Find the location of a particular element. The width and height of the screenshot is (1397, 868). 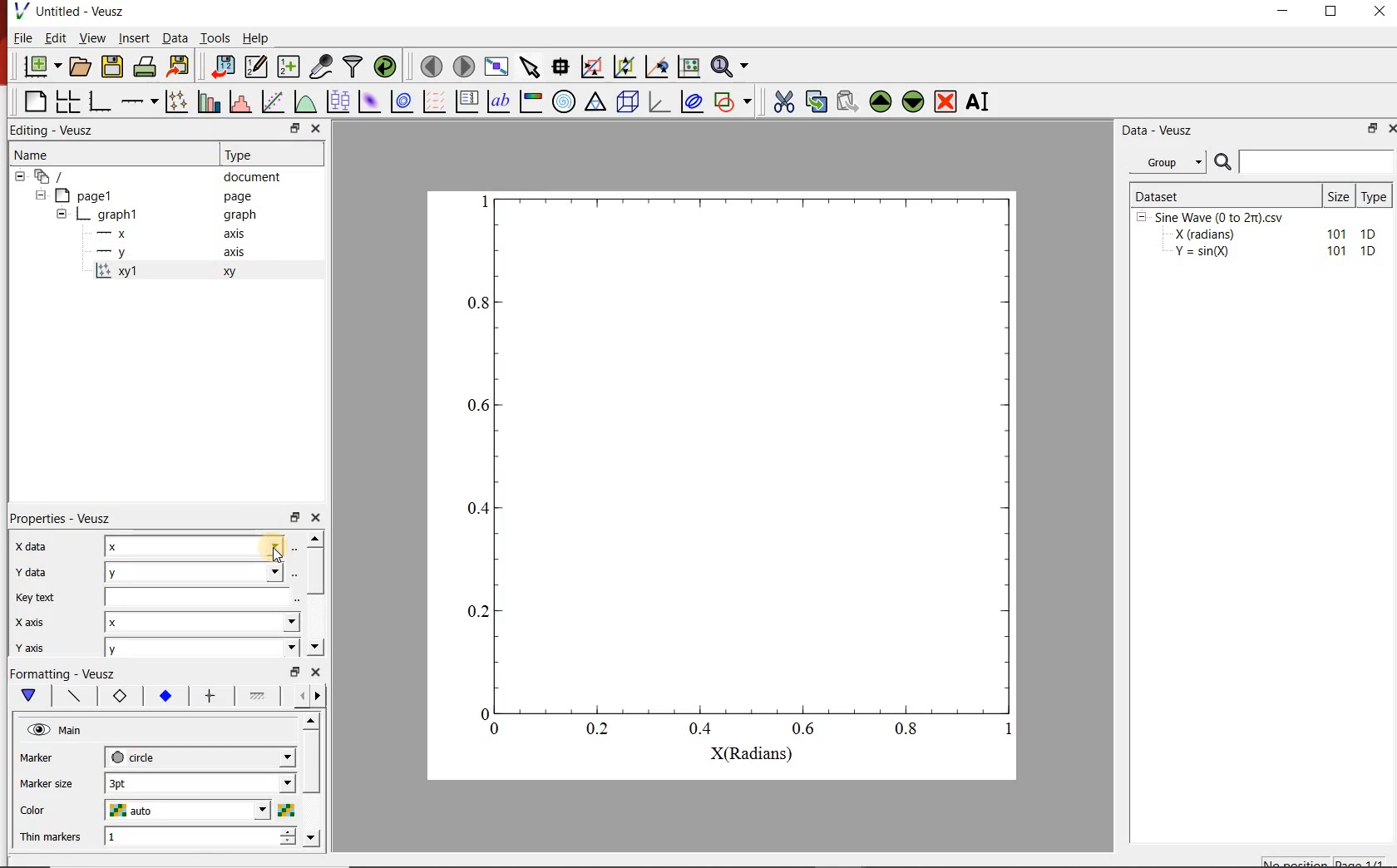

cut is located at coordinates (784, 100).